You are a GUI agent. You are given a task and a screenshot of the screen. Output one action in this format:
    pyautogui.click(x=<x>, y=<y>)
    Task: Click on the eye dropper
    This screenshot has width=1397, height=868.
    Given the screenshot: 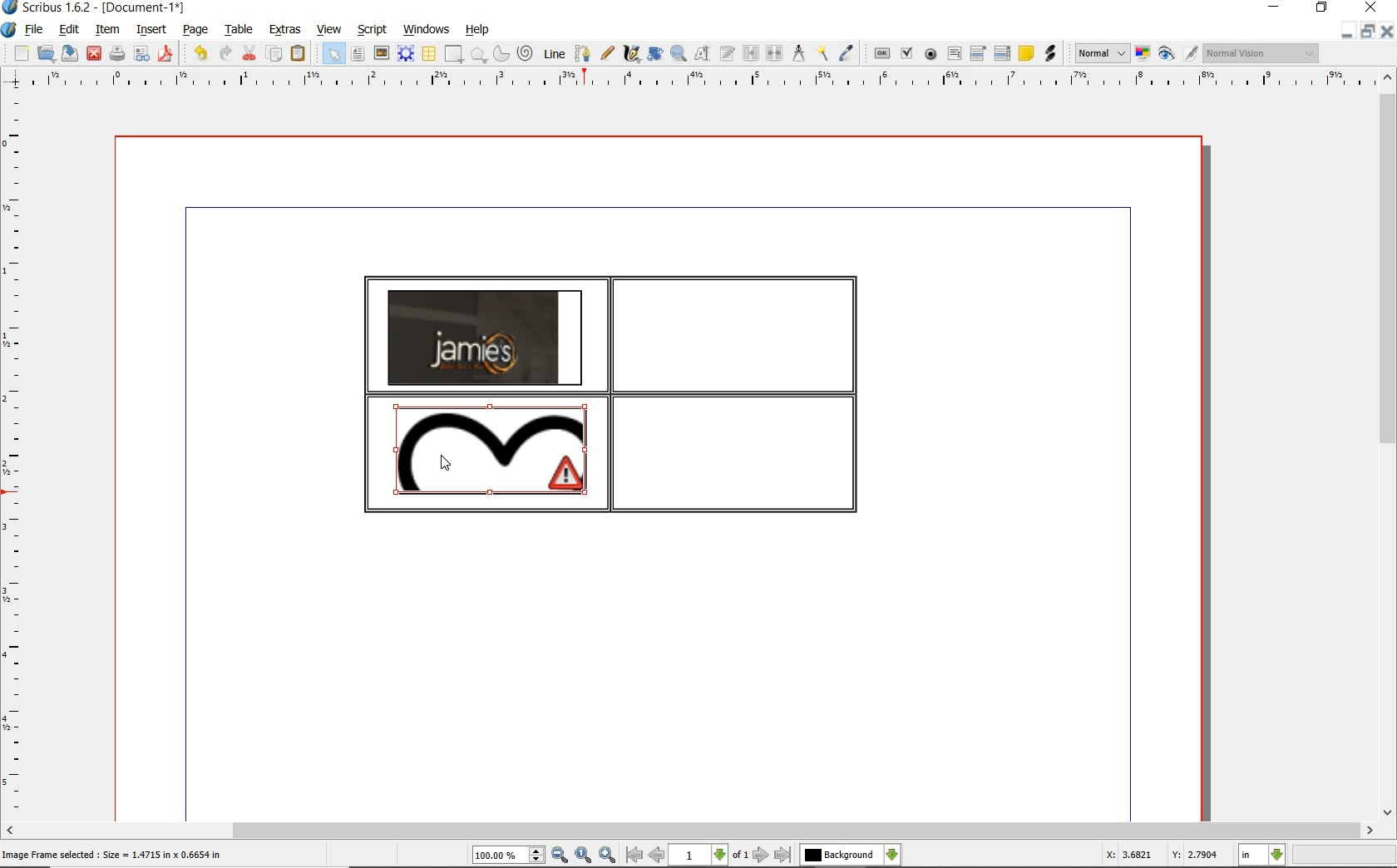 What is the action you would take?
    pyautogui.click(x=847, y=53)
    